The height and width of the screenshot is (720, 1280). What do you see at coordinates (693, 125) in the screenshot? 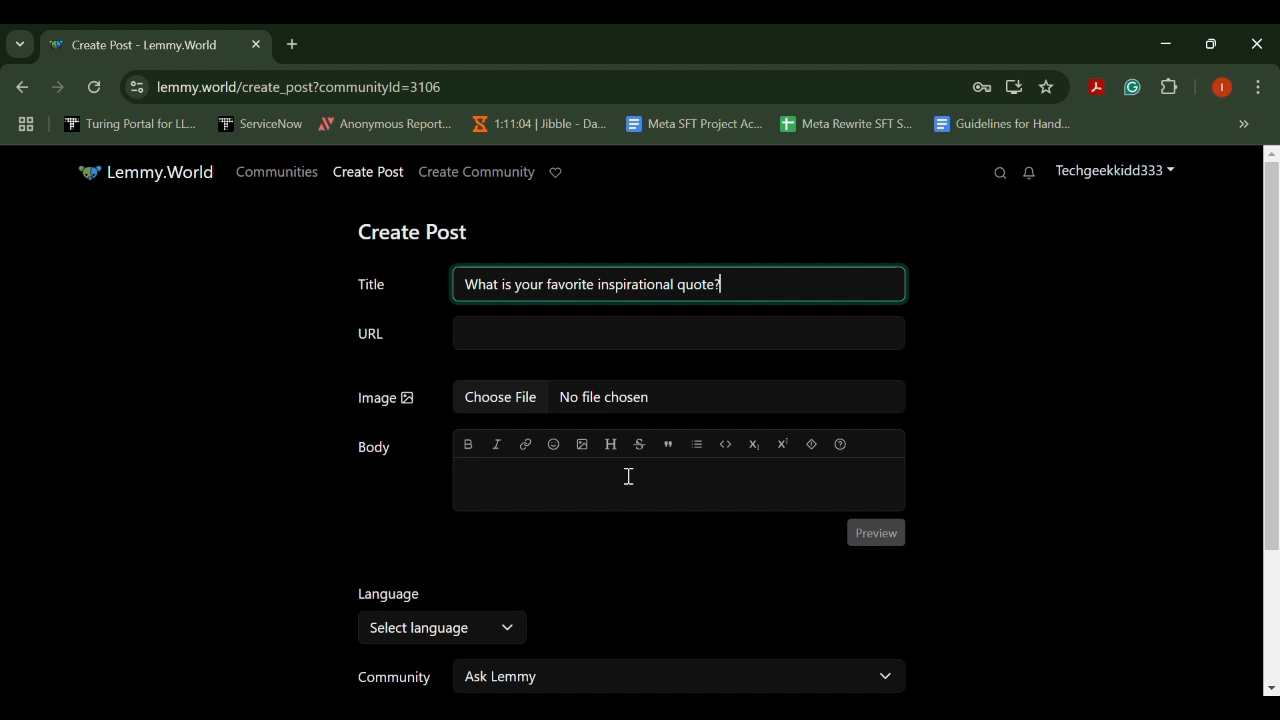
I see `Meta SFT Project Ac...` at bounding box center [693, 125].